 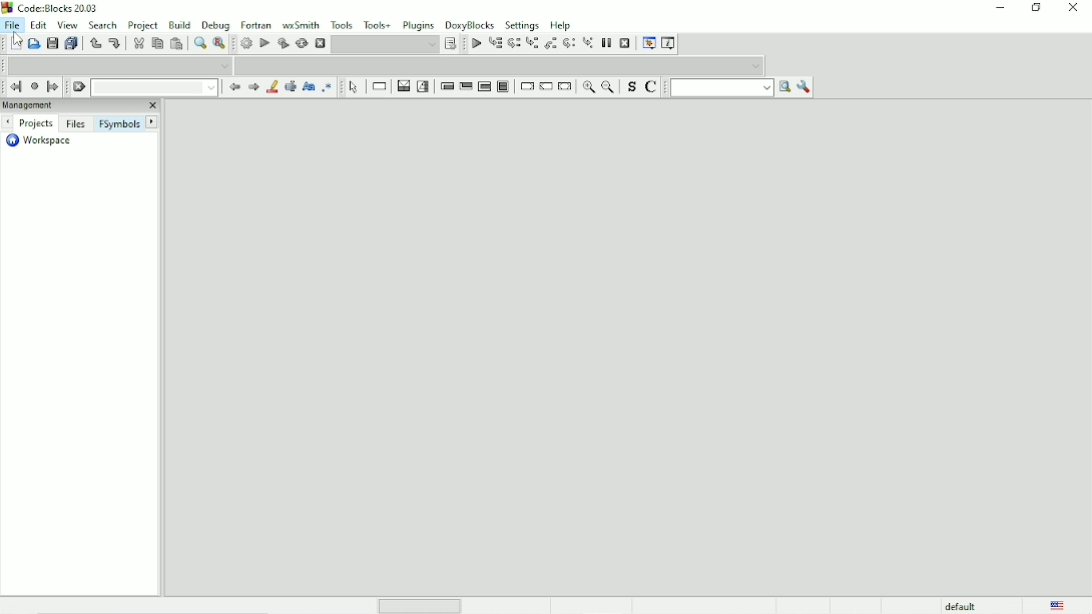 I want to click on Next instruction, so click(x=568, y=43).